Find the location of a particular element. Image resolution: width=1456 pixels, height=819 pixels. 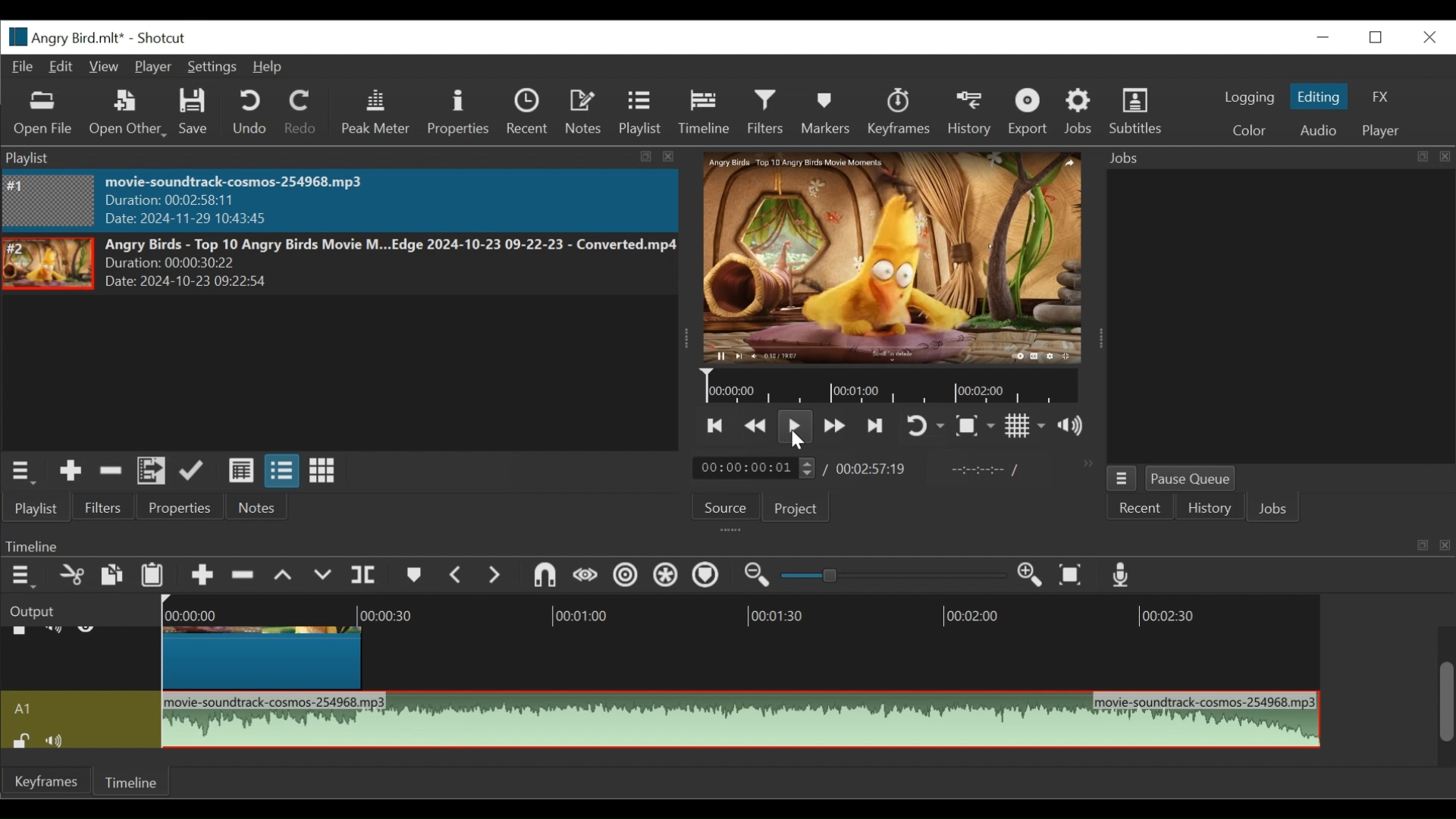

Notes is located at coordinates (582, 111).